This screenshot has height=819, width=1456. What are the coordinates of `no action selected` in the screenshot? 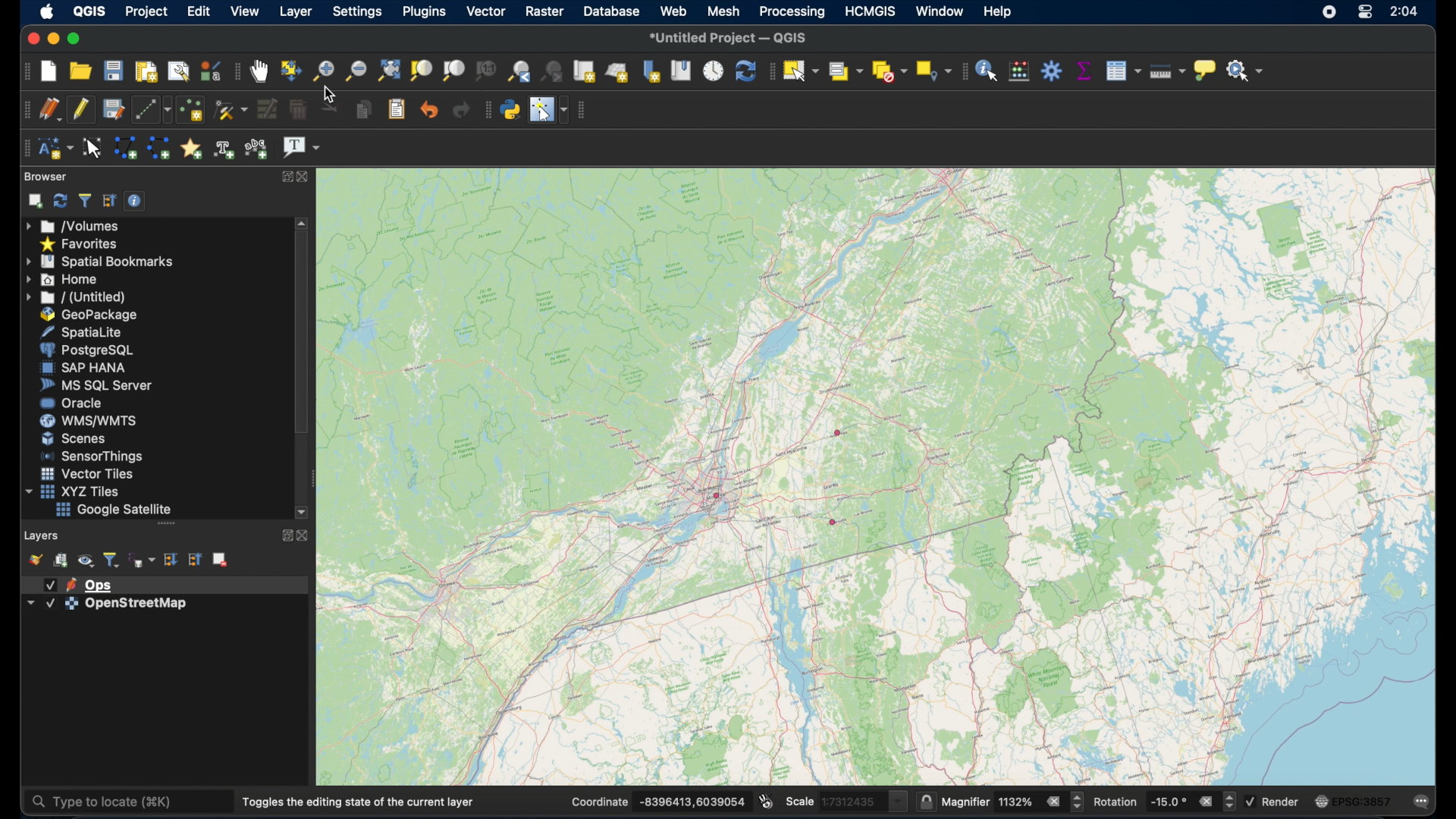 It's located at (1247, 73).